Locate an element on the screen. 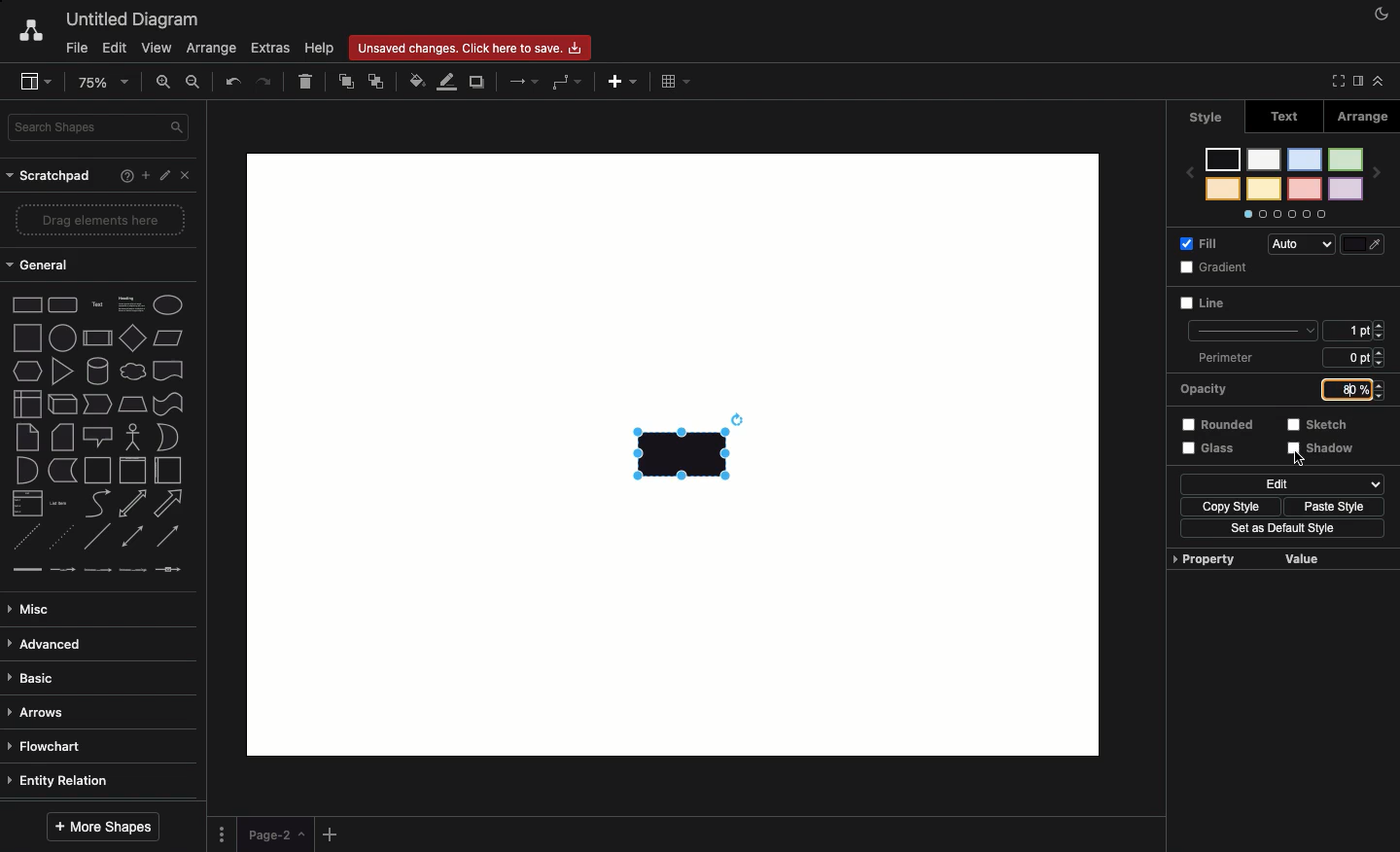 The height and width of the screenshot is (852, 1400). Zoom in is located at coordinates (164, 85).